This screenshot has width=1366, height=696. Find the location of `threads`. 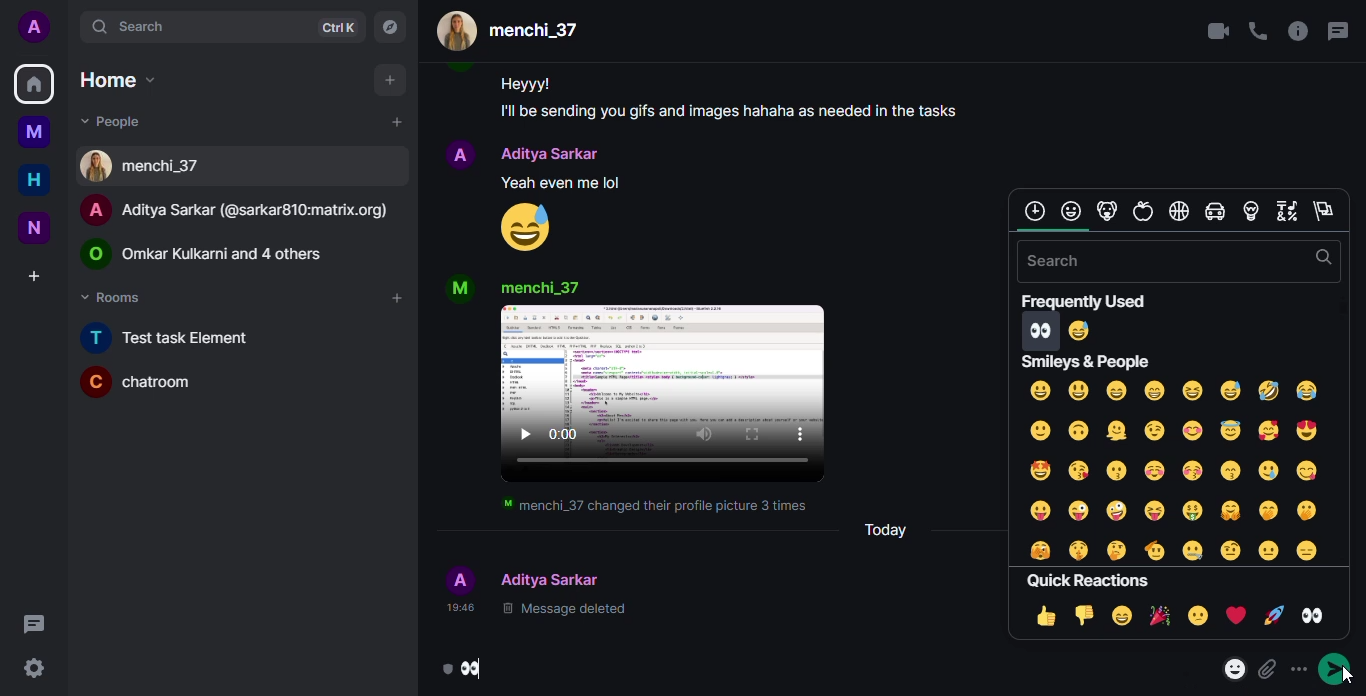

threads is located at coordinates (1336, 31).